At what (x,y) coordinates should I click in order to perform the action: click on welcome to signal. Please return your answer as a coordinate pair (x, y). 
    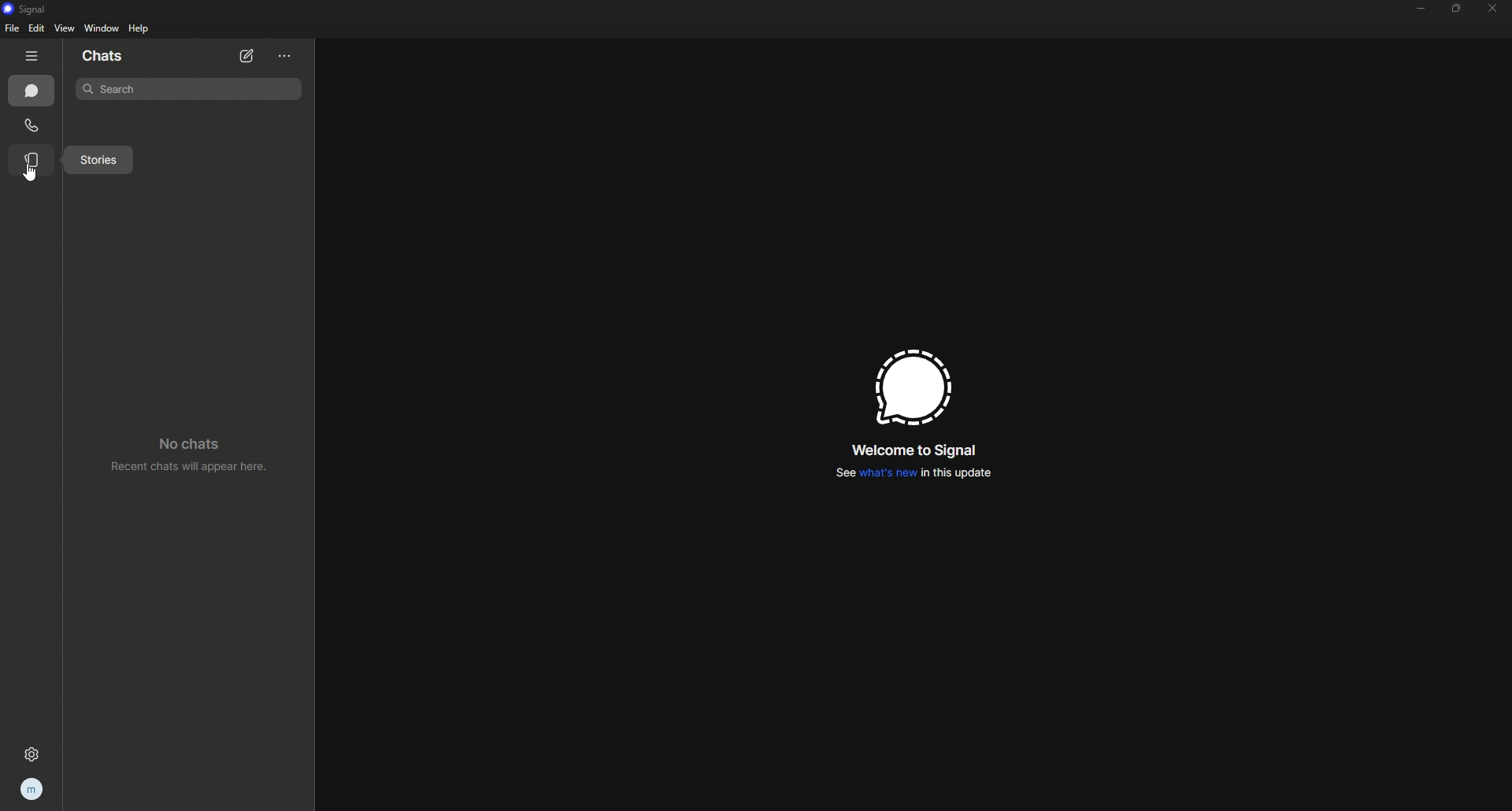
    Looking at the image, I should click on (914, 450).